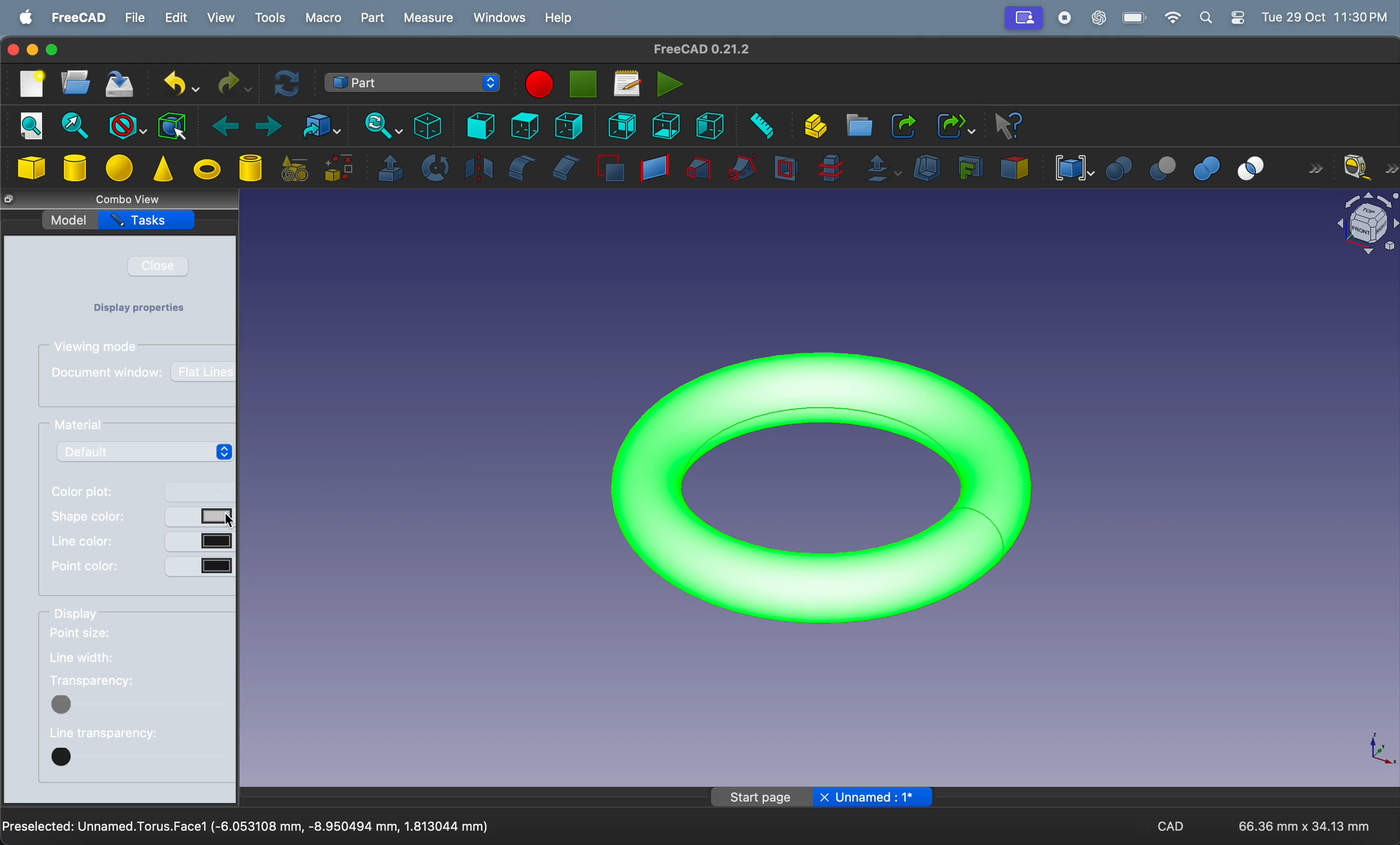  I want to click on Start page, so click(756, 797).